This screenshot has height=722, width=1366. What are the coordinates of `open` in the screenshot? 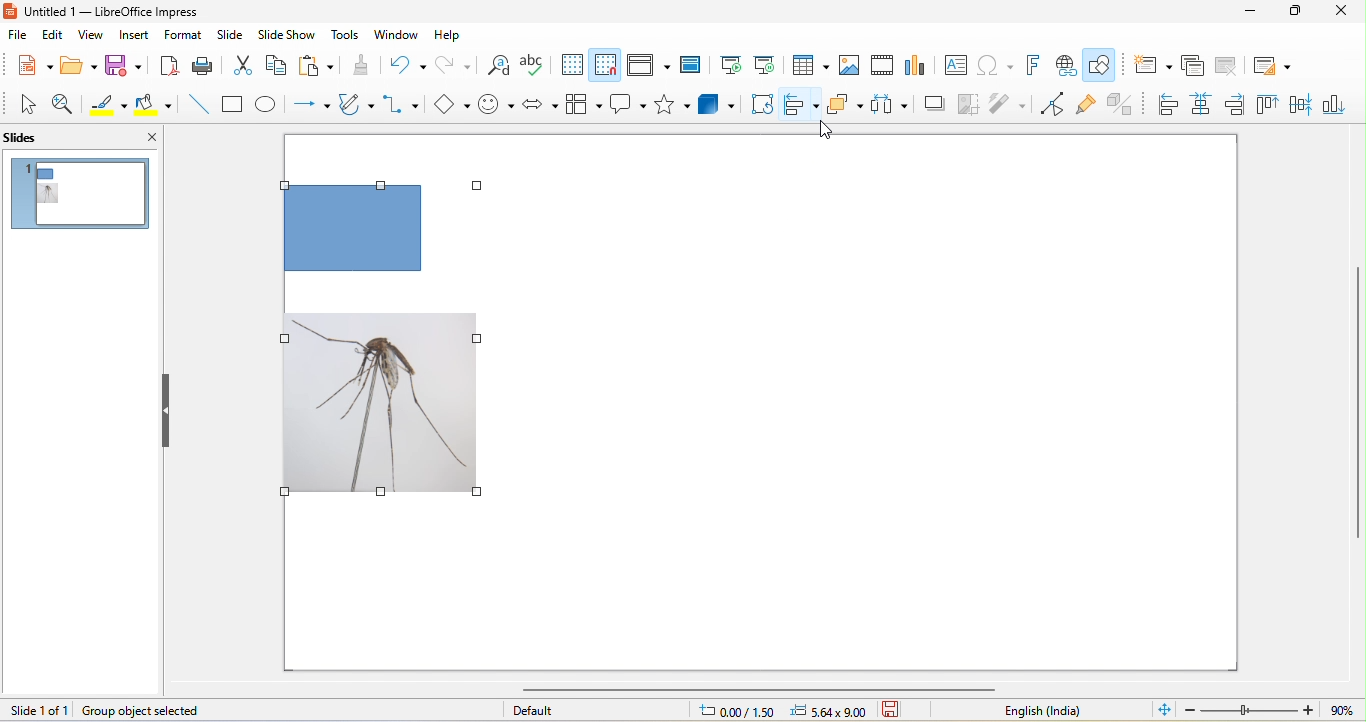 It's located at (79, 66).